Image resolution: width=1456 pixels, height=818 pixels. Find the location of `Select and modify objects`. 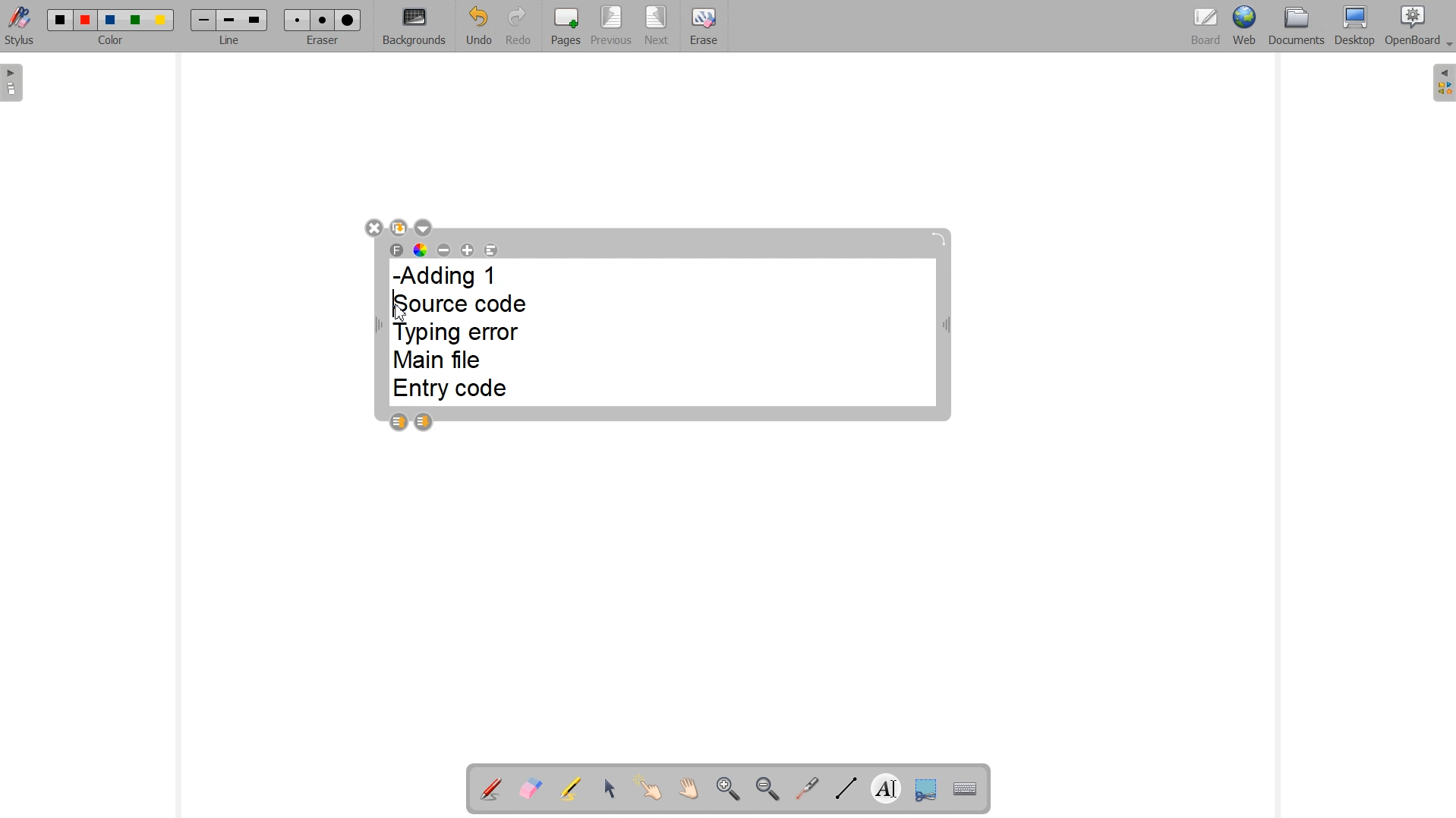

Select and modify objects is located at coordinates (610, 788).